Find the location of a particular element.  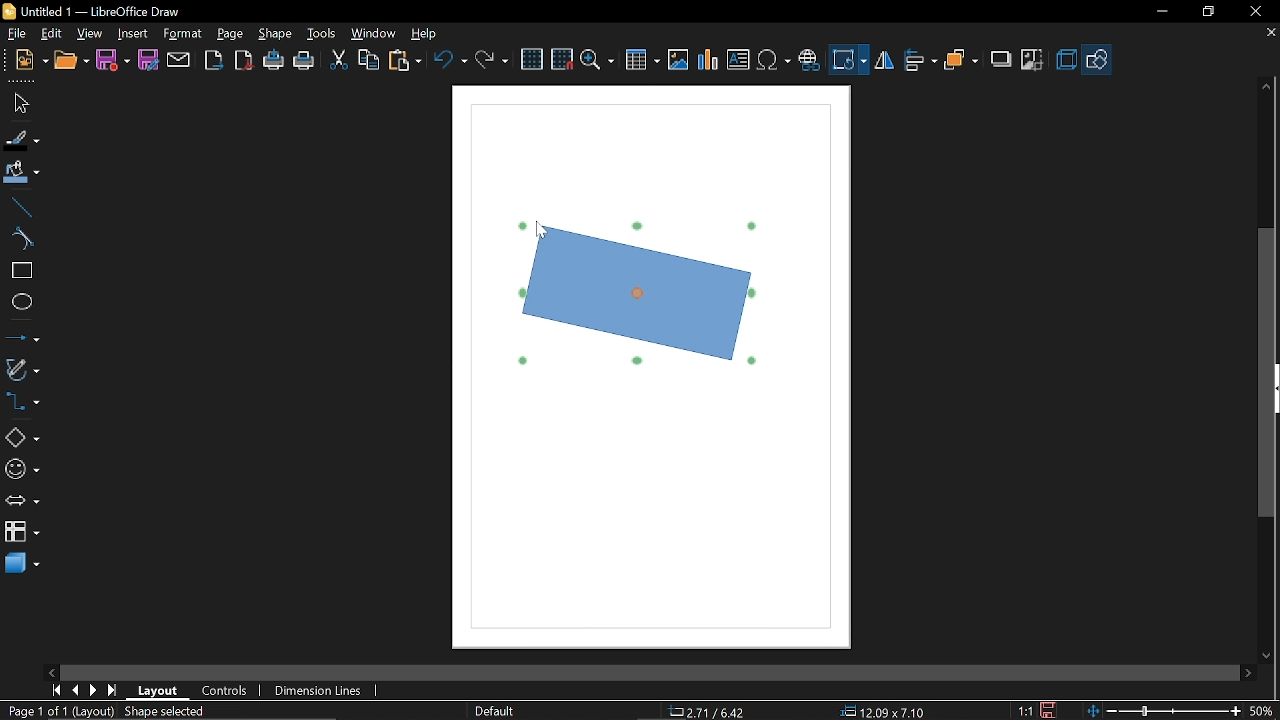

Fill color is located at coordinates (22, 173).